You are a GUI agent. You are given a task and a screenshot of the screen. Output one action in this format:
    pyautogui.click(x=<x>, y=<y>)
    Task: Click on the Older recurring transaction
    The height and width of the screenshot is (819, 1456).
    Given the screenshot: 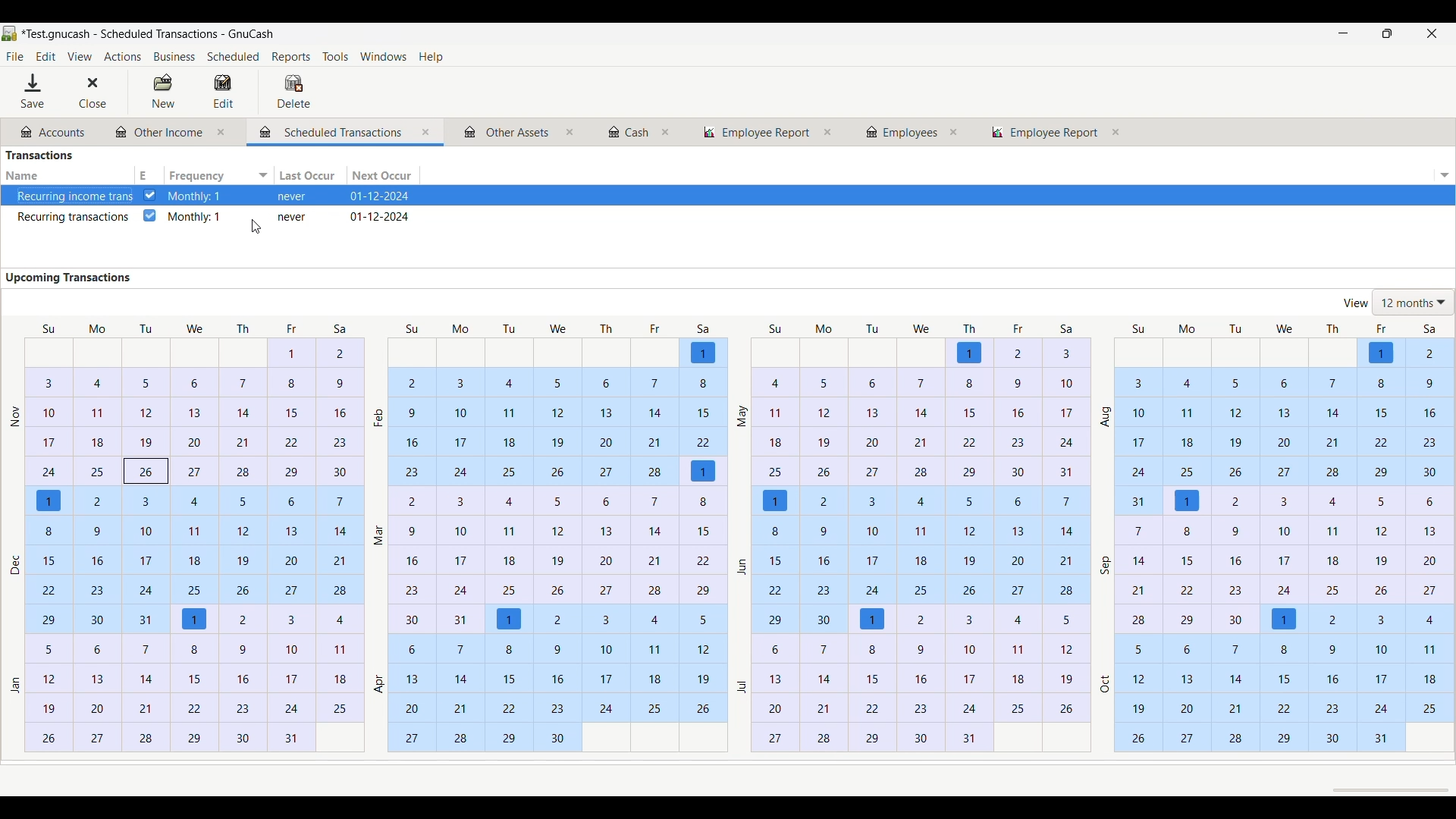 What is the action you would take?
    pyautogui.click(x=65, y=217)
    